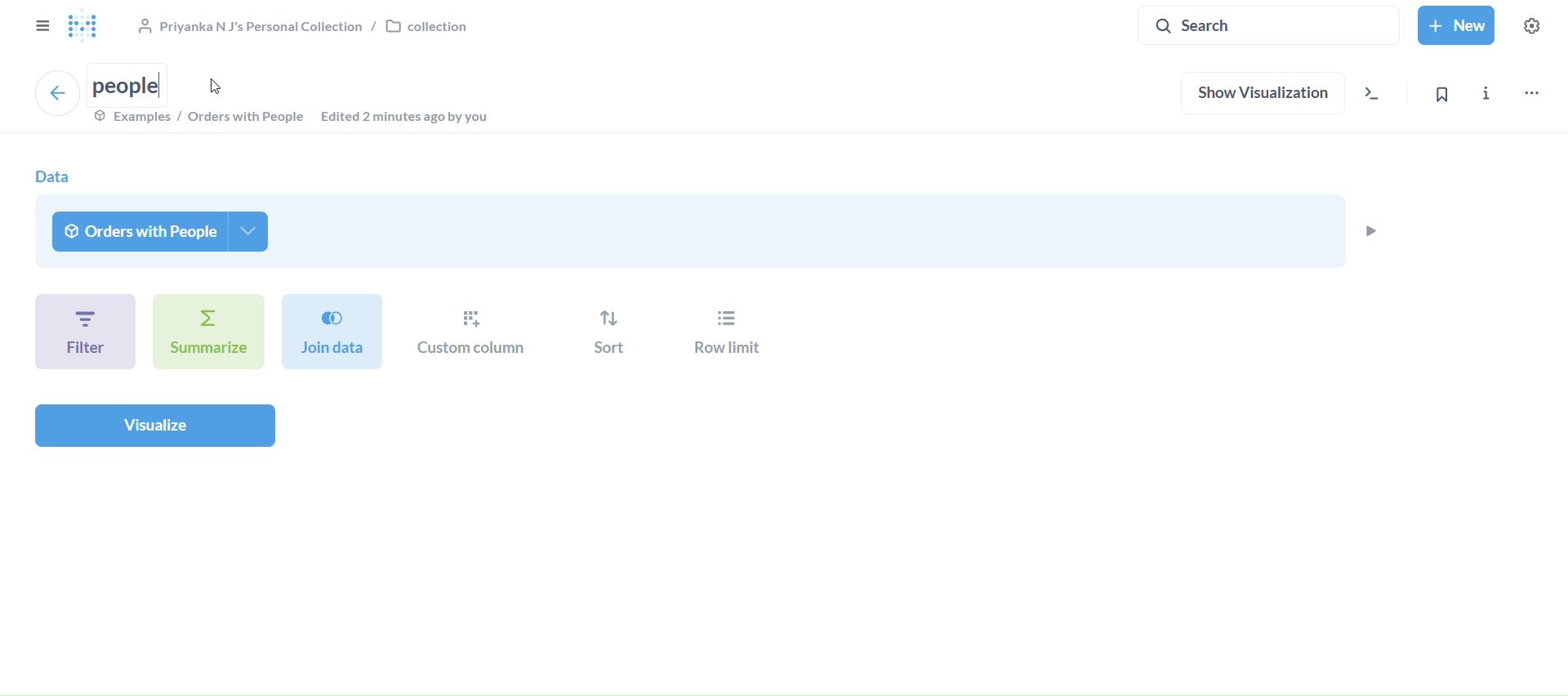  What do you see at coordinates (84, 330) in the screenshot?
I see `filter` at bounding box center [84, 330].